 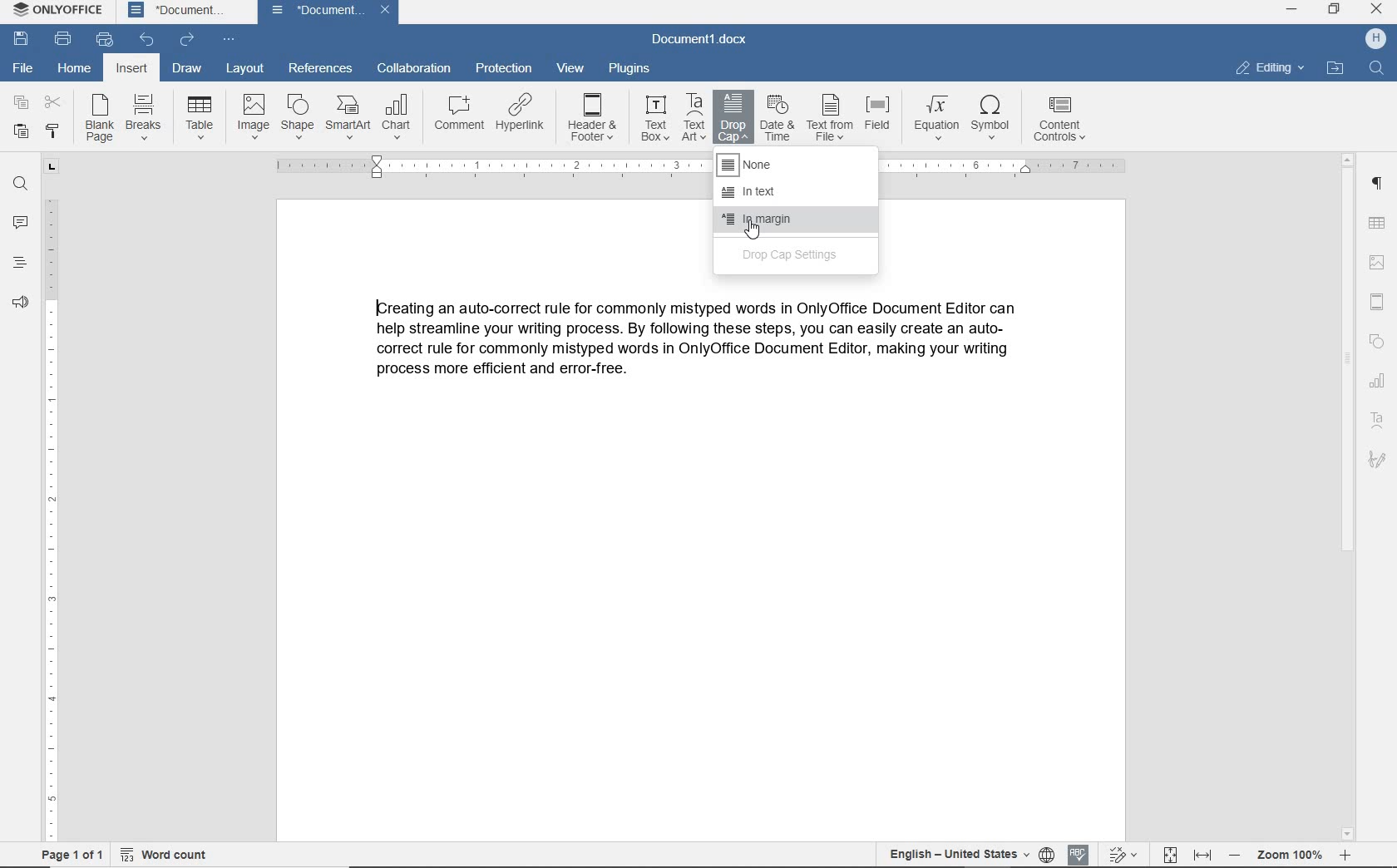 What do you see at coordinates (1350, 496) in the screenshot?
I see `scrollbar` at bounding box center [1350, 496].